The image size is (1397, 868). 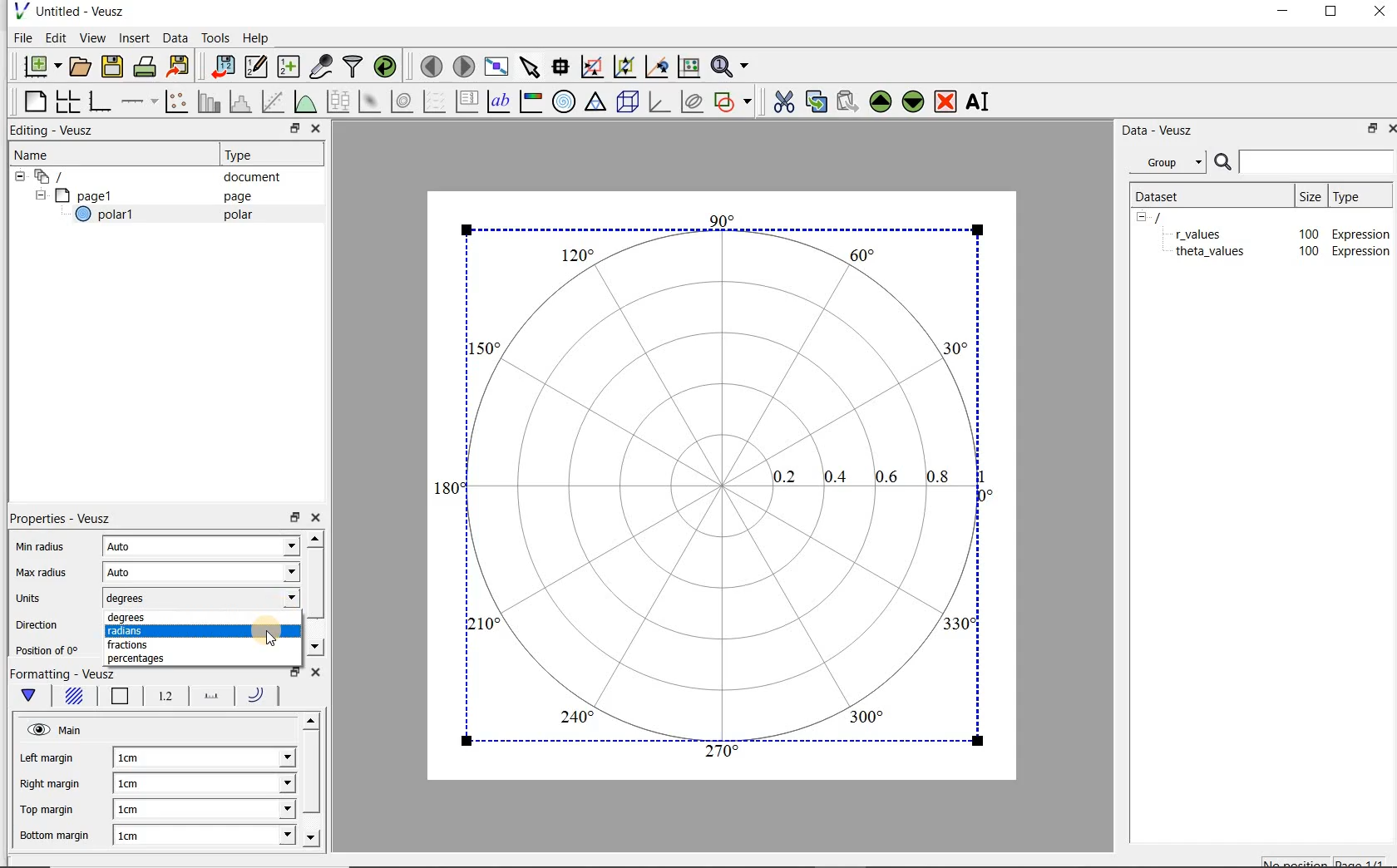 I want to click on units dropdown, so click(x=269, y=600).